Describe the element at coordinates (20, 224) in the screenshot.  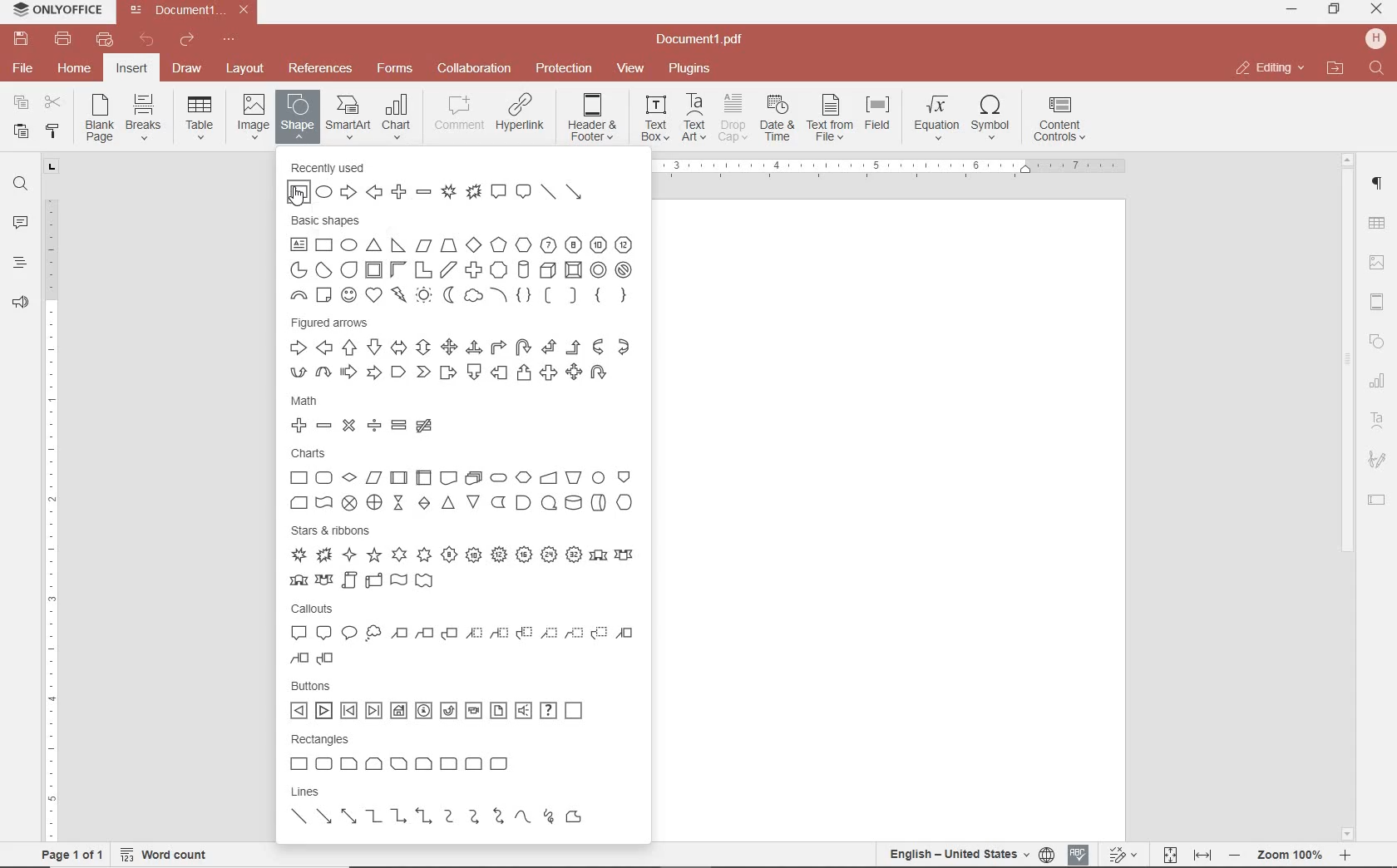
I see `comments` at that location.